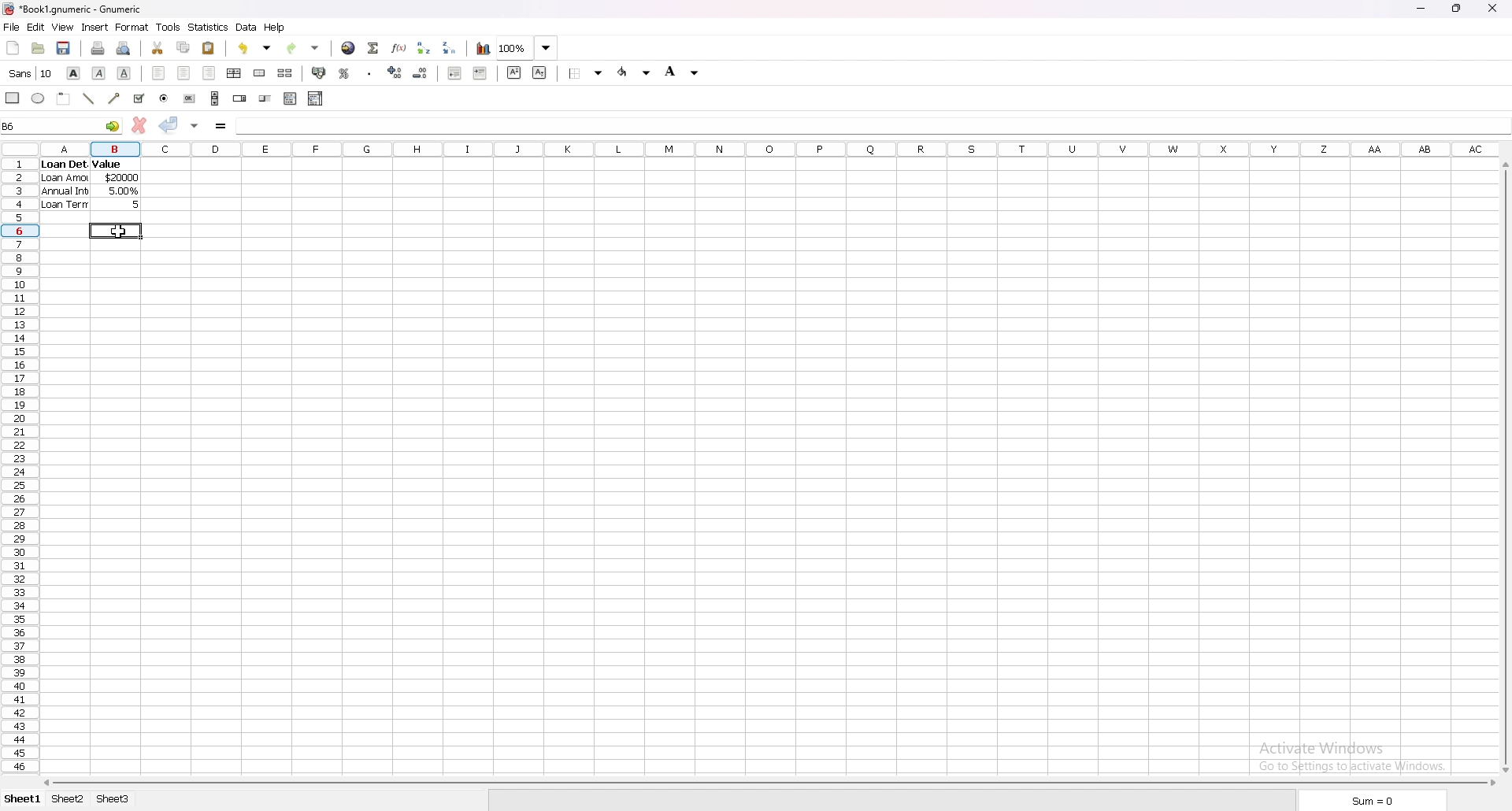  Describe the element at coordinates (317, 98) in the screenshot. I see `combo box` at that location.